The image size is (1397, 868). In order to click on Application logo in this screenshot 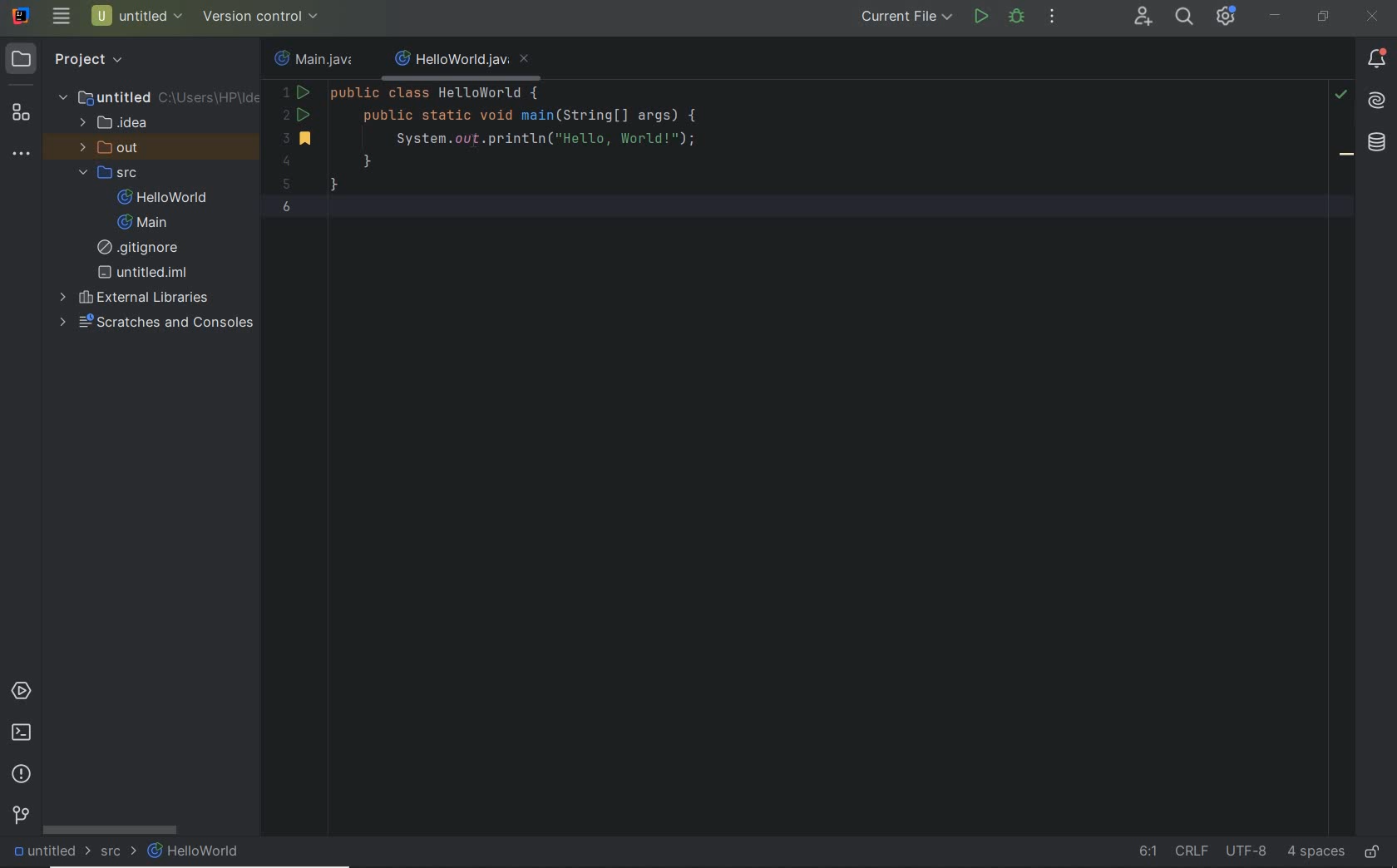, I will do `click(18, 14)`.